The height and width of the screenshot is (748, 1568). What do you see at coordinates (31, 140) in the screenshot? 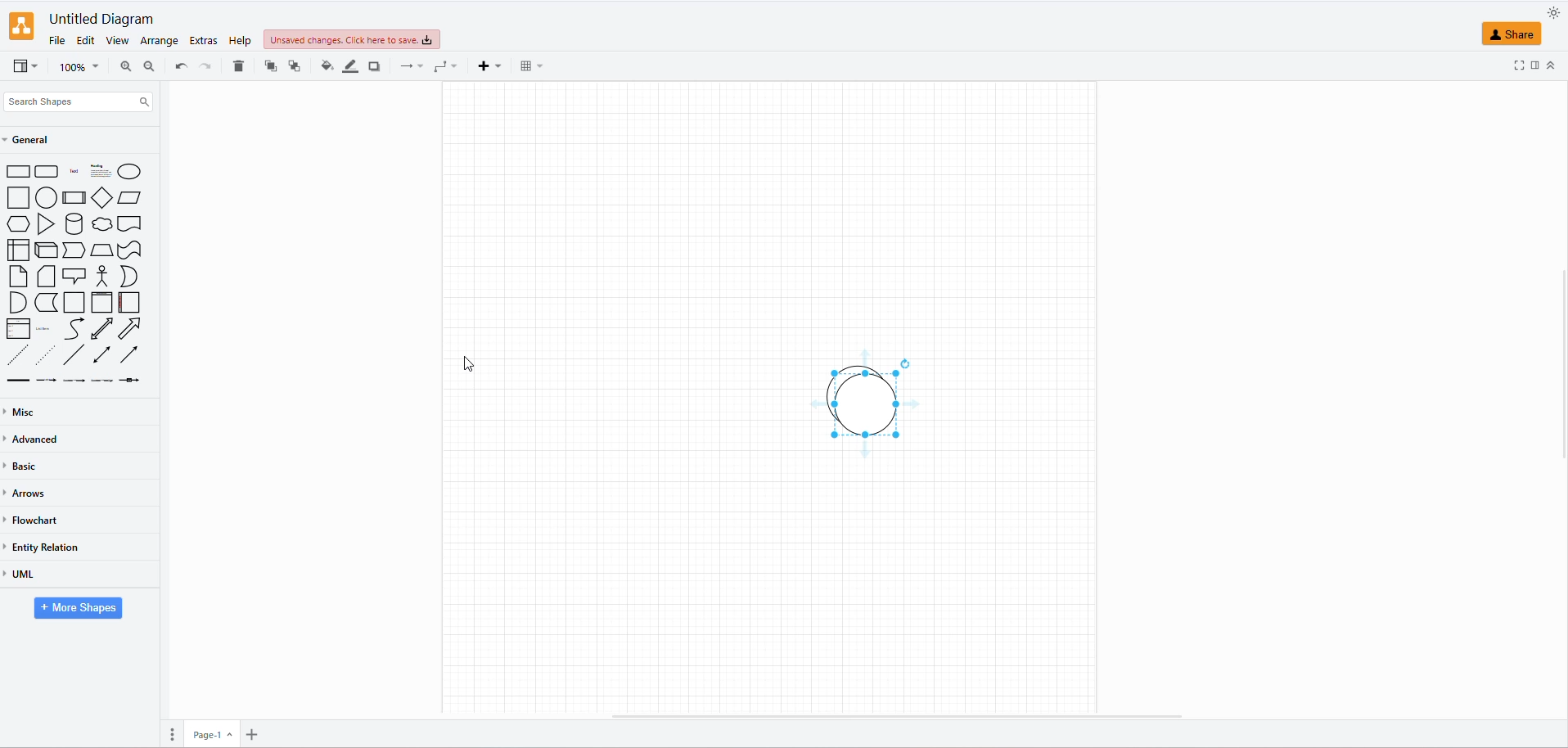
I see `GENERAL` at bounding box center [31, 140].